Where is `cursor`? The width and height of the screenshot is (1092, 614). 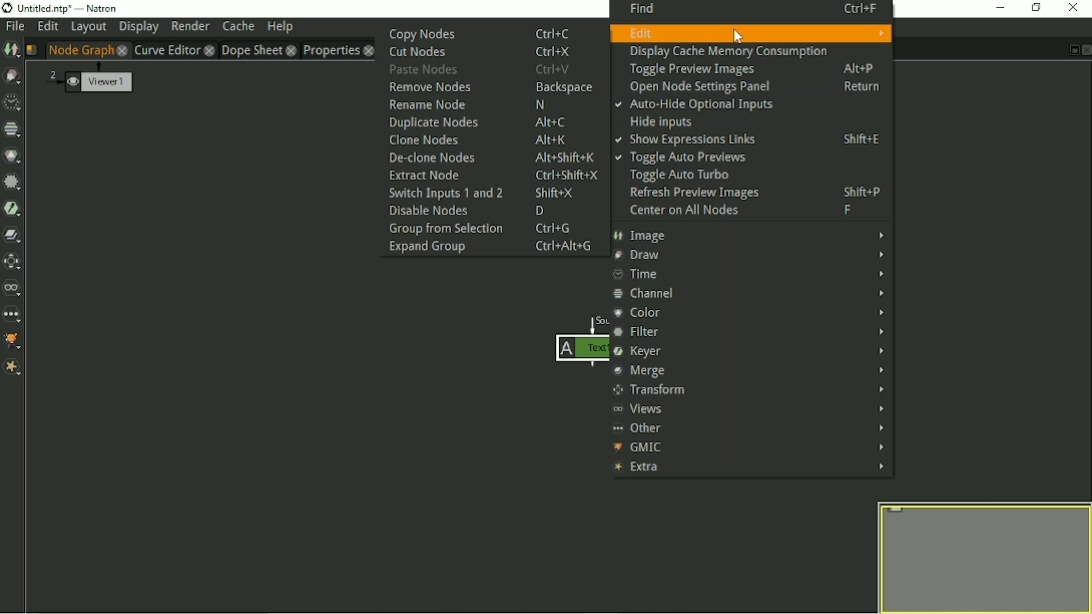 cursor is located at coordinates (735, 38).